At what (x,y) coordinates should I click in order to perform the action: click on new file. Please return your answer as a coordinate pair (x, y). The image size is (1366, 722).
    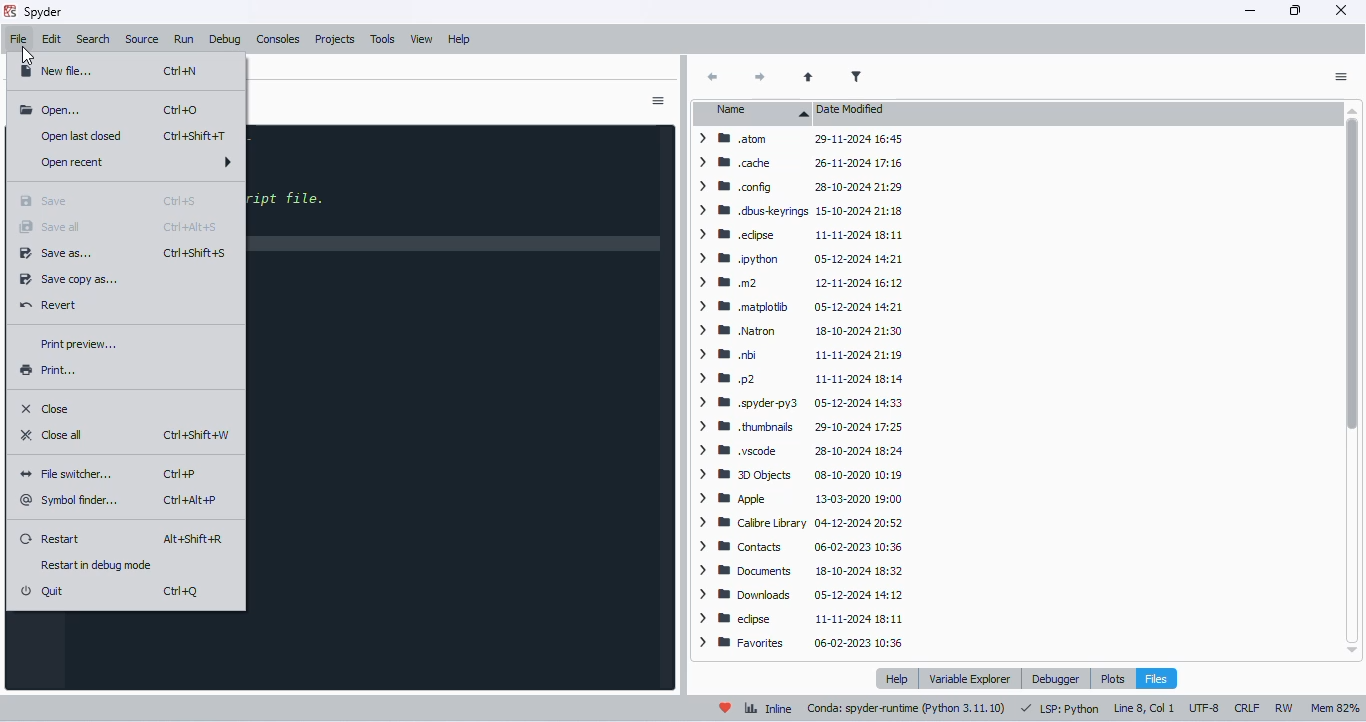
    Looking at the image, I should click on (57, 71).